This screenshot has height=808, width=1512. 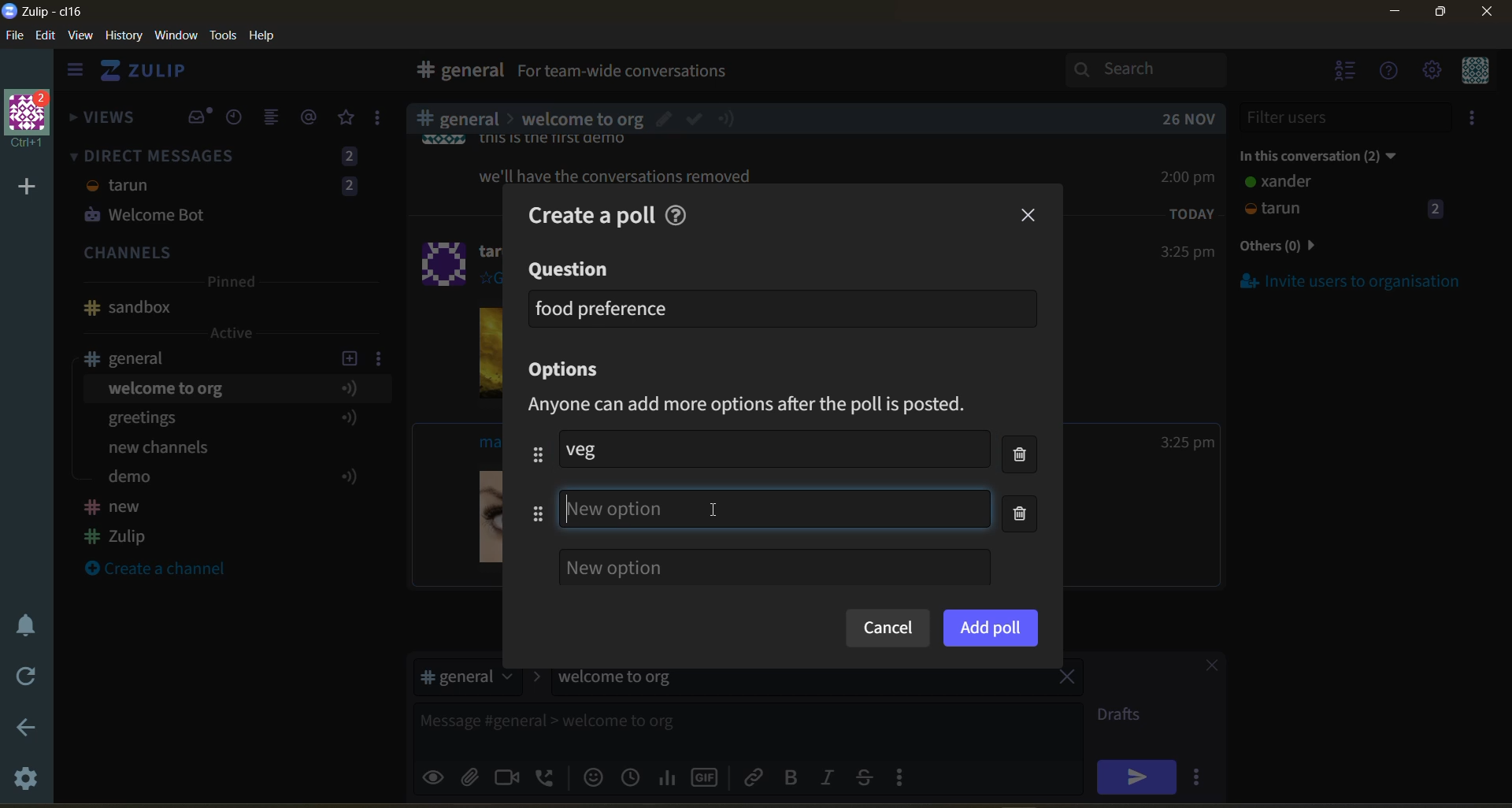 What do you see at coordinates (347, 118) in the screenshot?
I see `favorites` at bounding box center [347, 118].